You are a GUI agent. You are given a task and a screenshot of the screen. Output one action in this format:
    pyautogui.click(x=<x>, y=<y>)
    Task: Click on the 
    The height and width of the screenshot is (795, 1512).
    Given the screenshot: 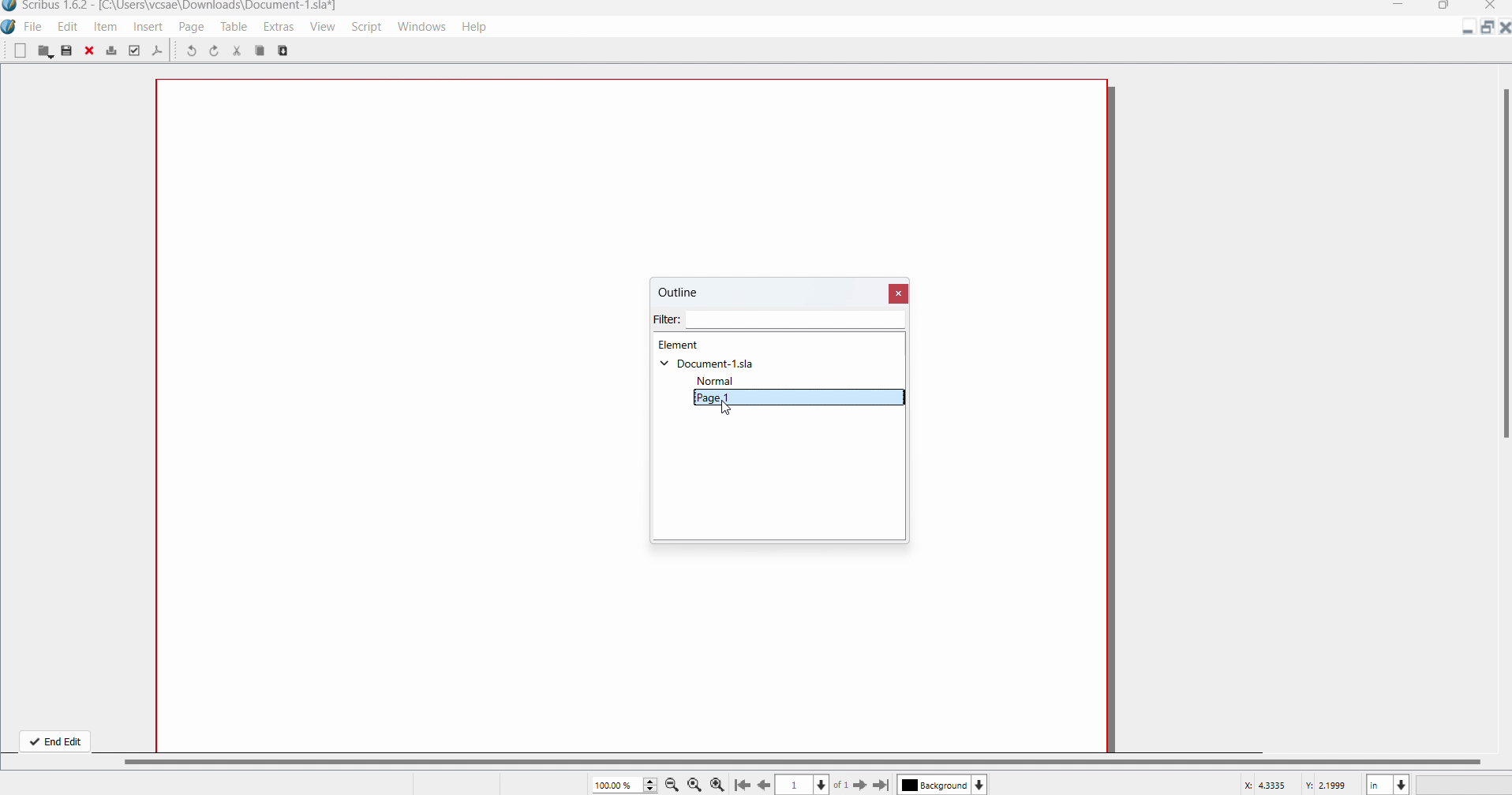 What is the action you would take?
    pyautogui.click(x=44, y=51)
    